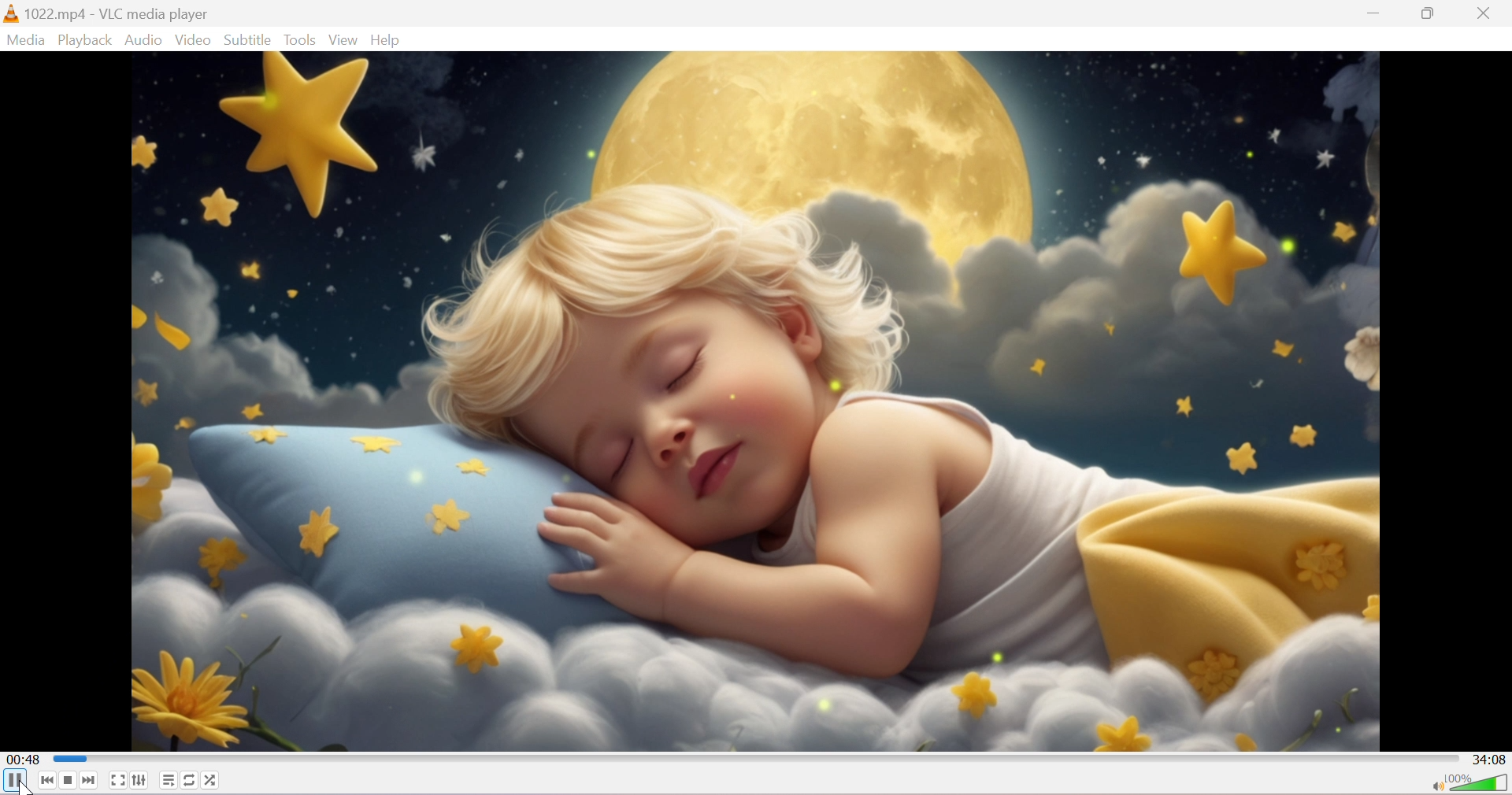 This screenshot has width=1512, height=795. What do you see at coordinates (27, 42) in the screenshot?
I see `Media` at bounding box center [27, 42].